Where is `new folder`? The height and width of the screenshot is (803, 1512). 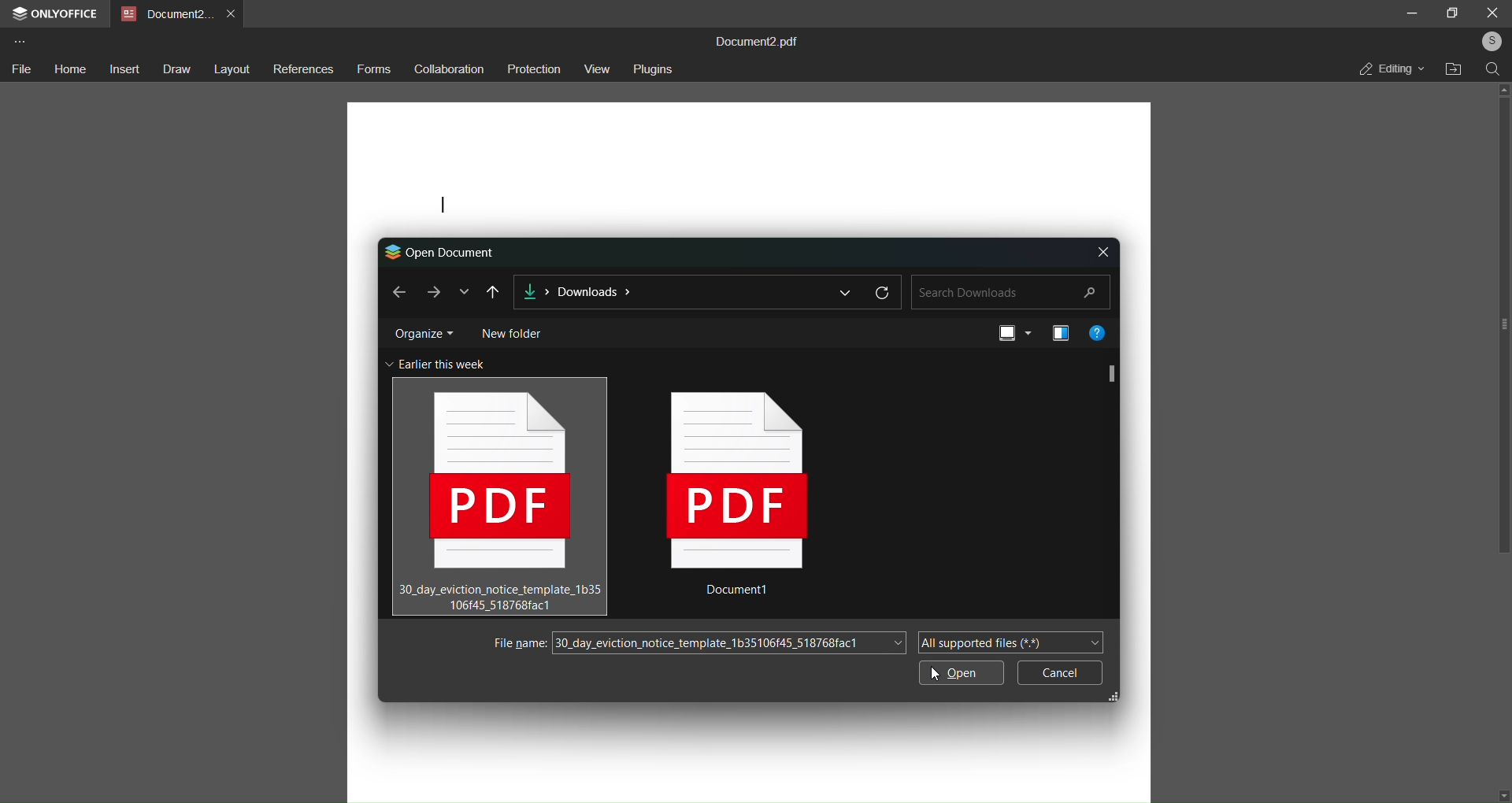
new folder is located at coordinates (511, 331).